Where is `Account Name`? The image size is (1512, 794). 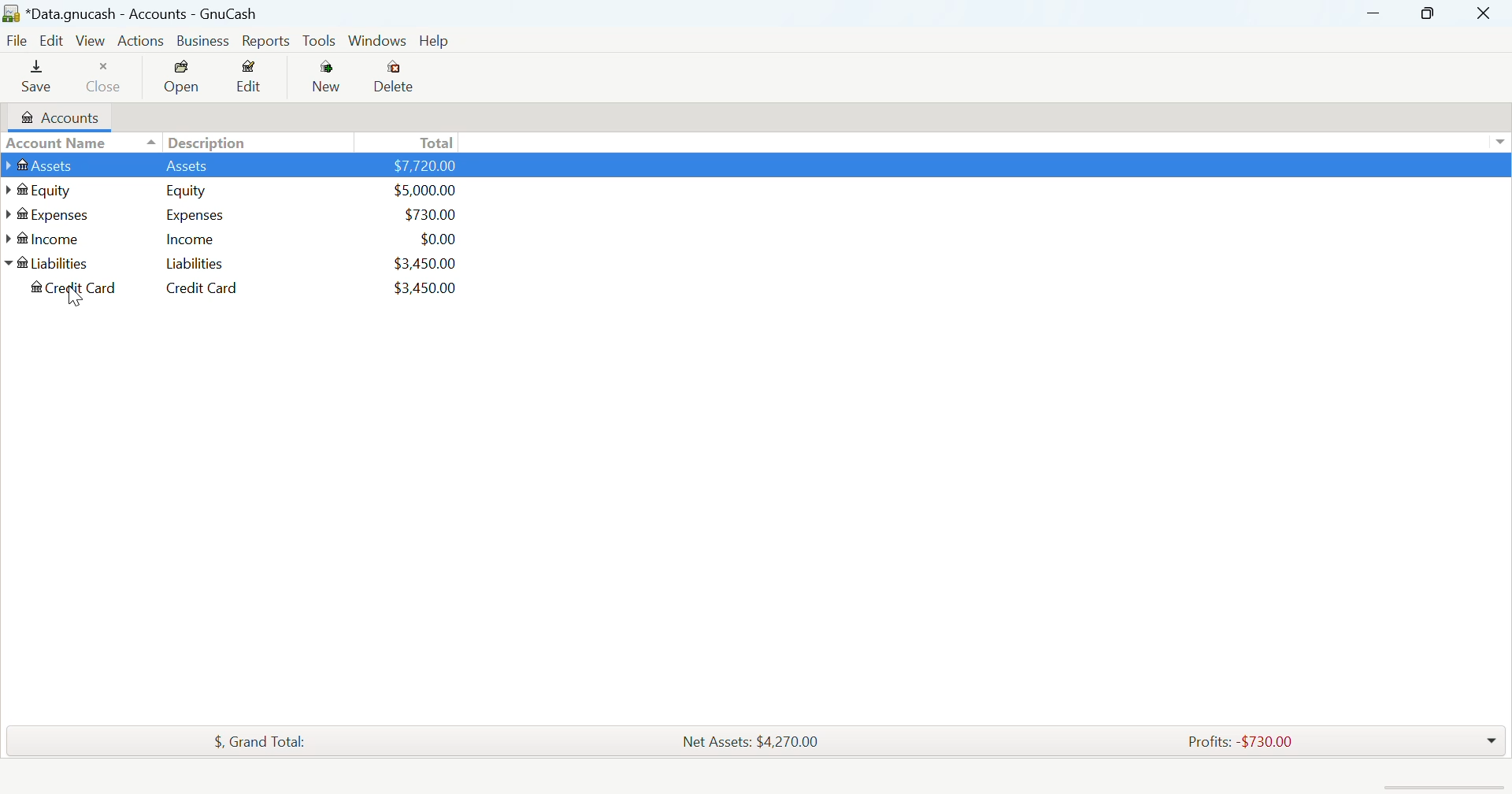
Account Name is located at coordinates (57, 144).